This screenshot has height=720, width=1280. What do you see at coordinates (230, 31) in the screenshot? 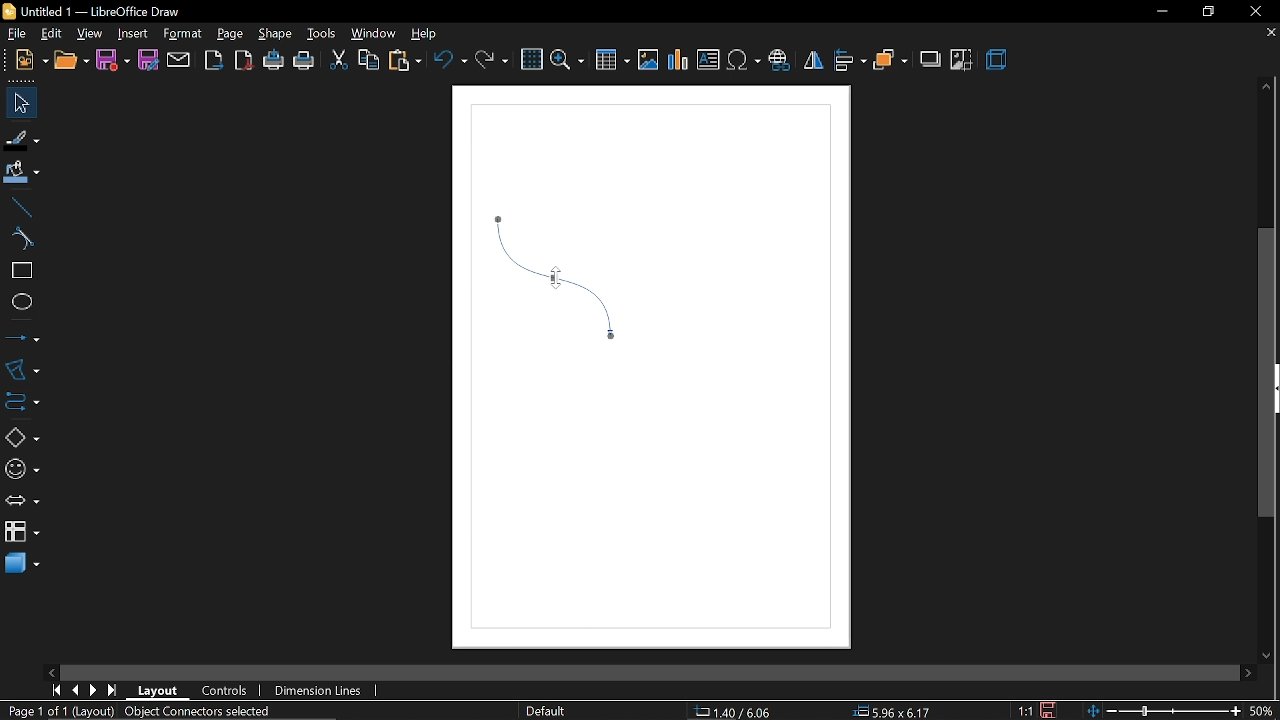
I see `page` at bounding box center [230, 31].